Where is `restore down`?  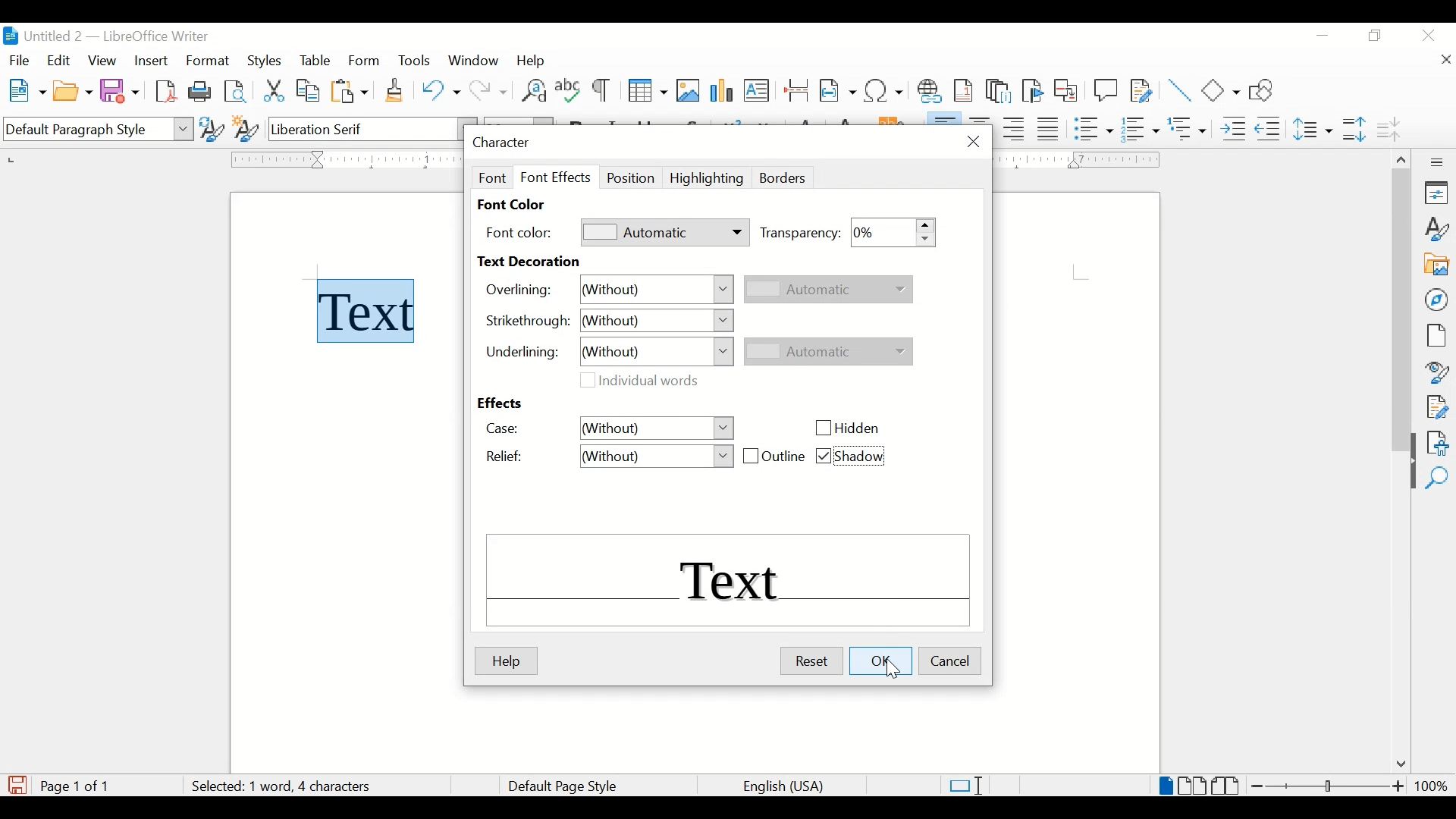
restore down is located at coordinates (1376, 36).